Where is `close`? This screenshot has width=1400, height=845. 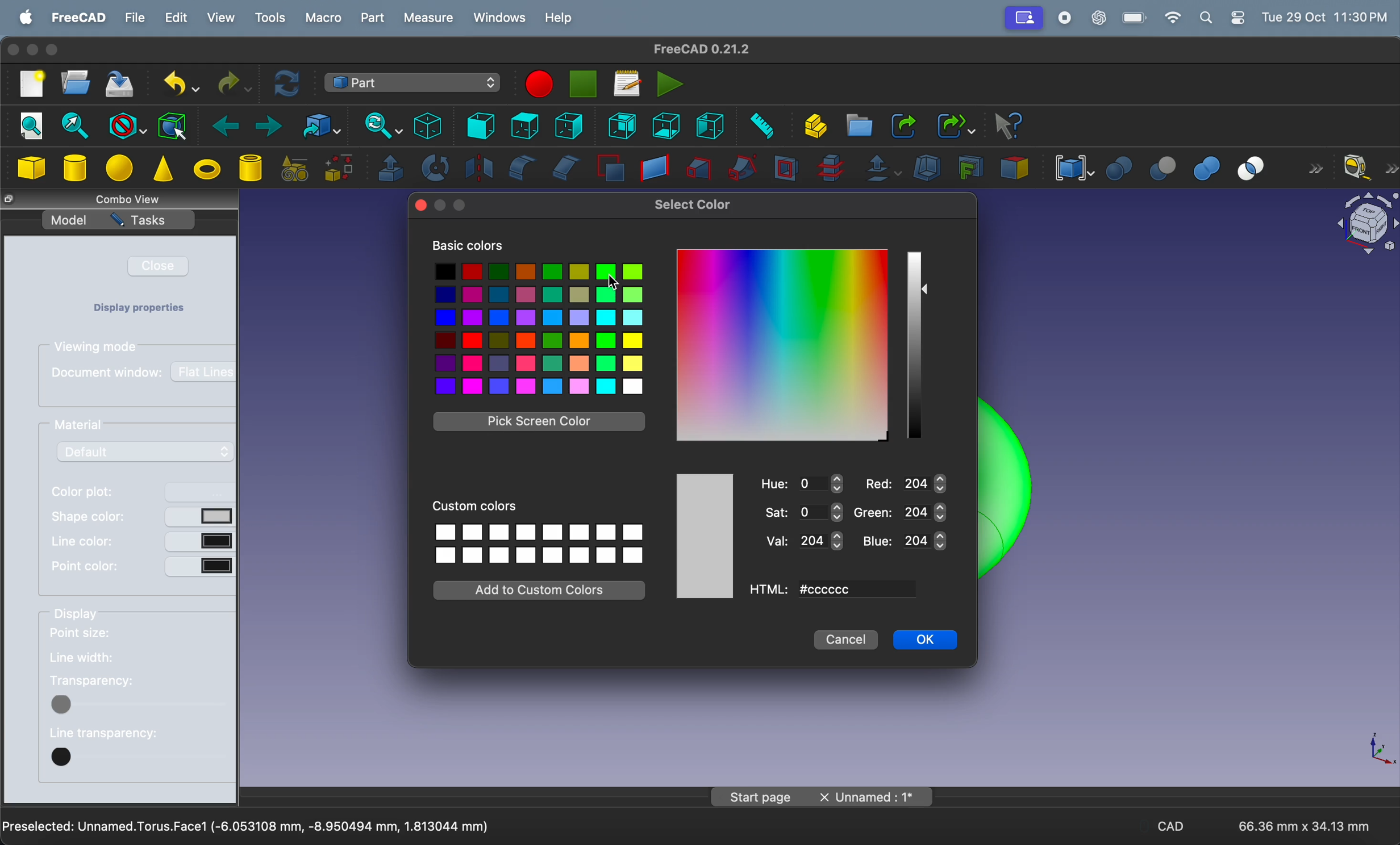 close is located at coordinates (160, 267).